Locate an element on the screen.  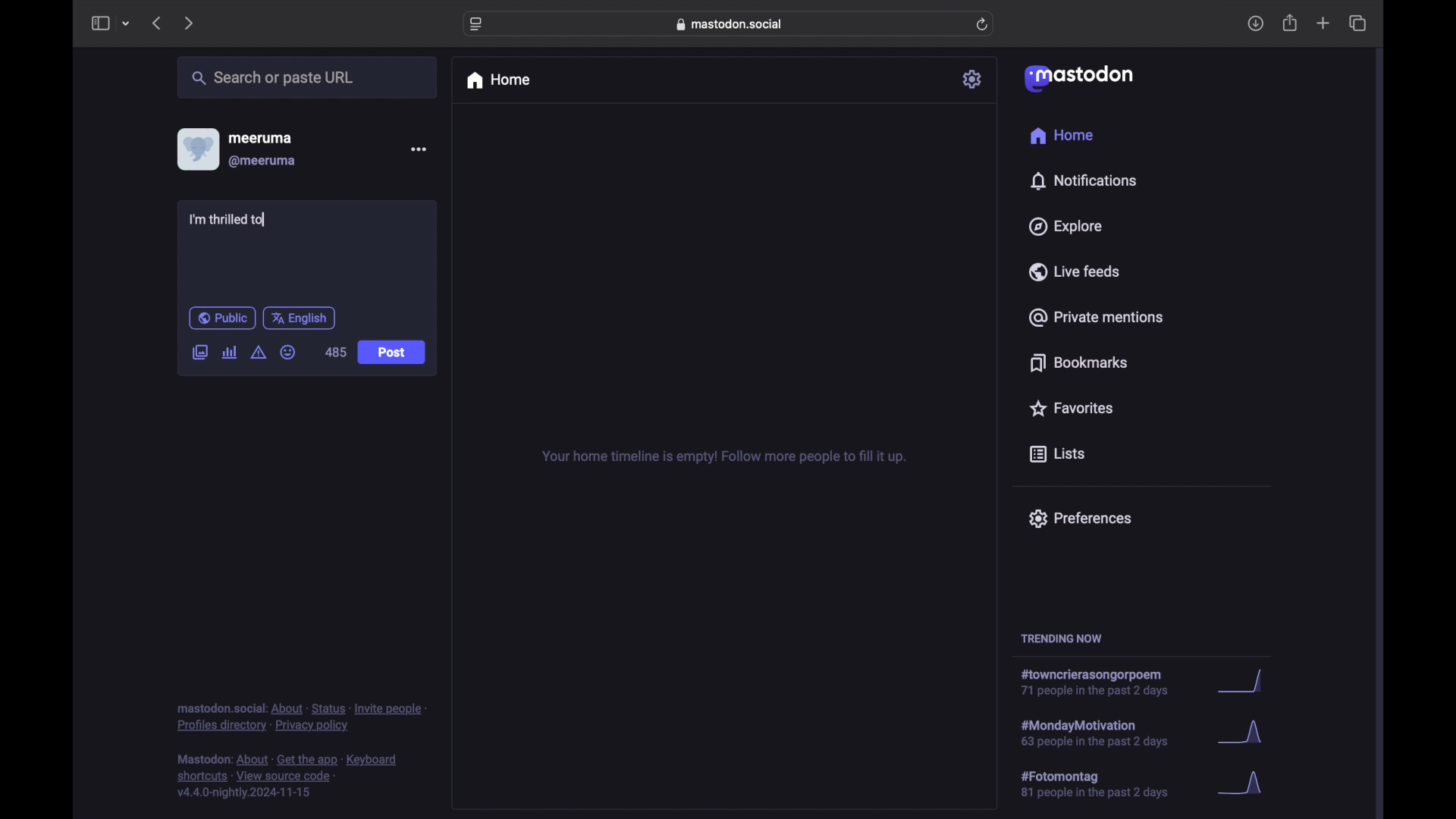
preferences is located at coordinates (1080, 519).